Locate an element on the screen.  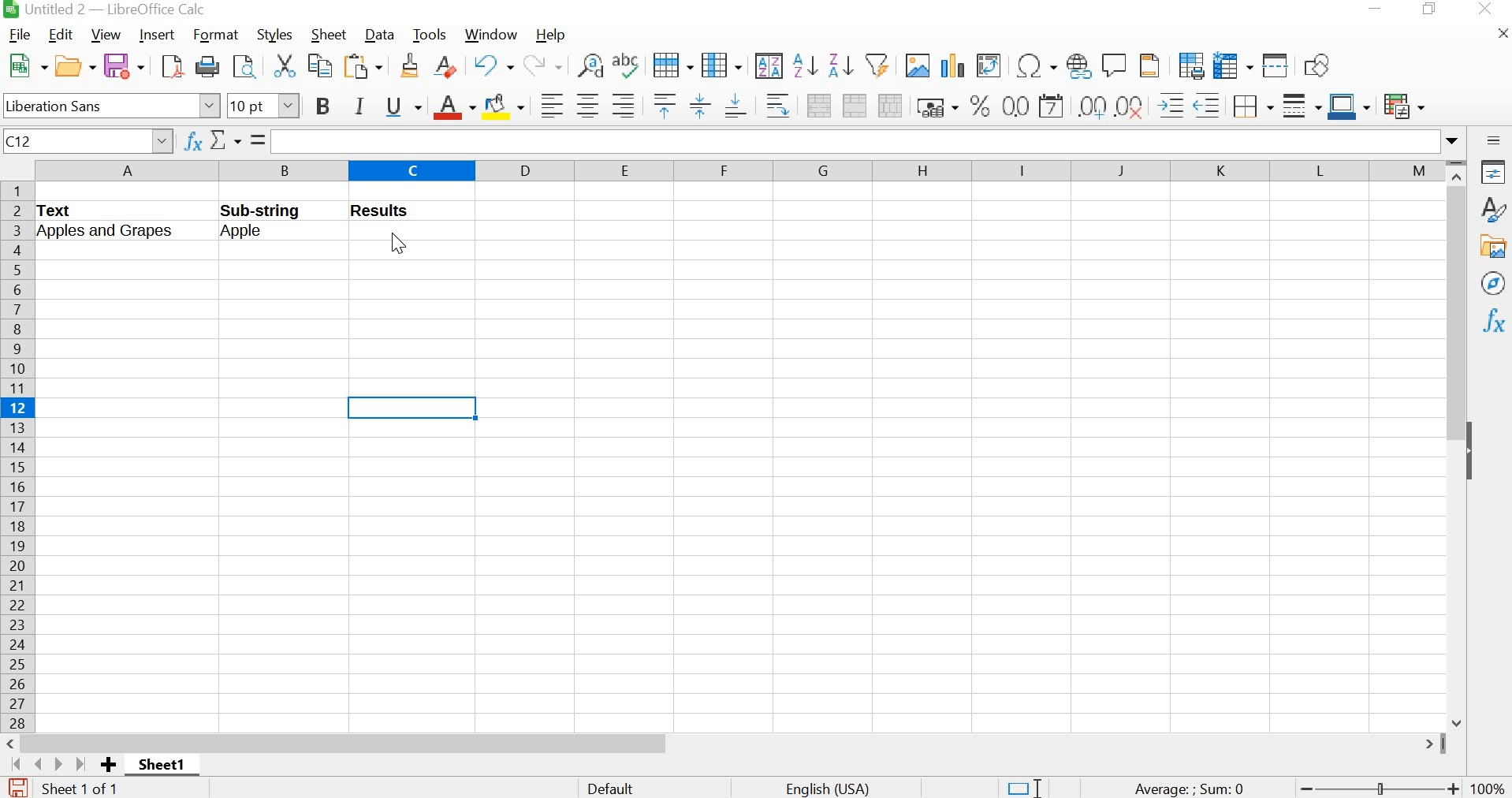
text language is located at coordinates (836, 788).